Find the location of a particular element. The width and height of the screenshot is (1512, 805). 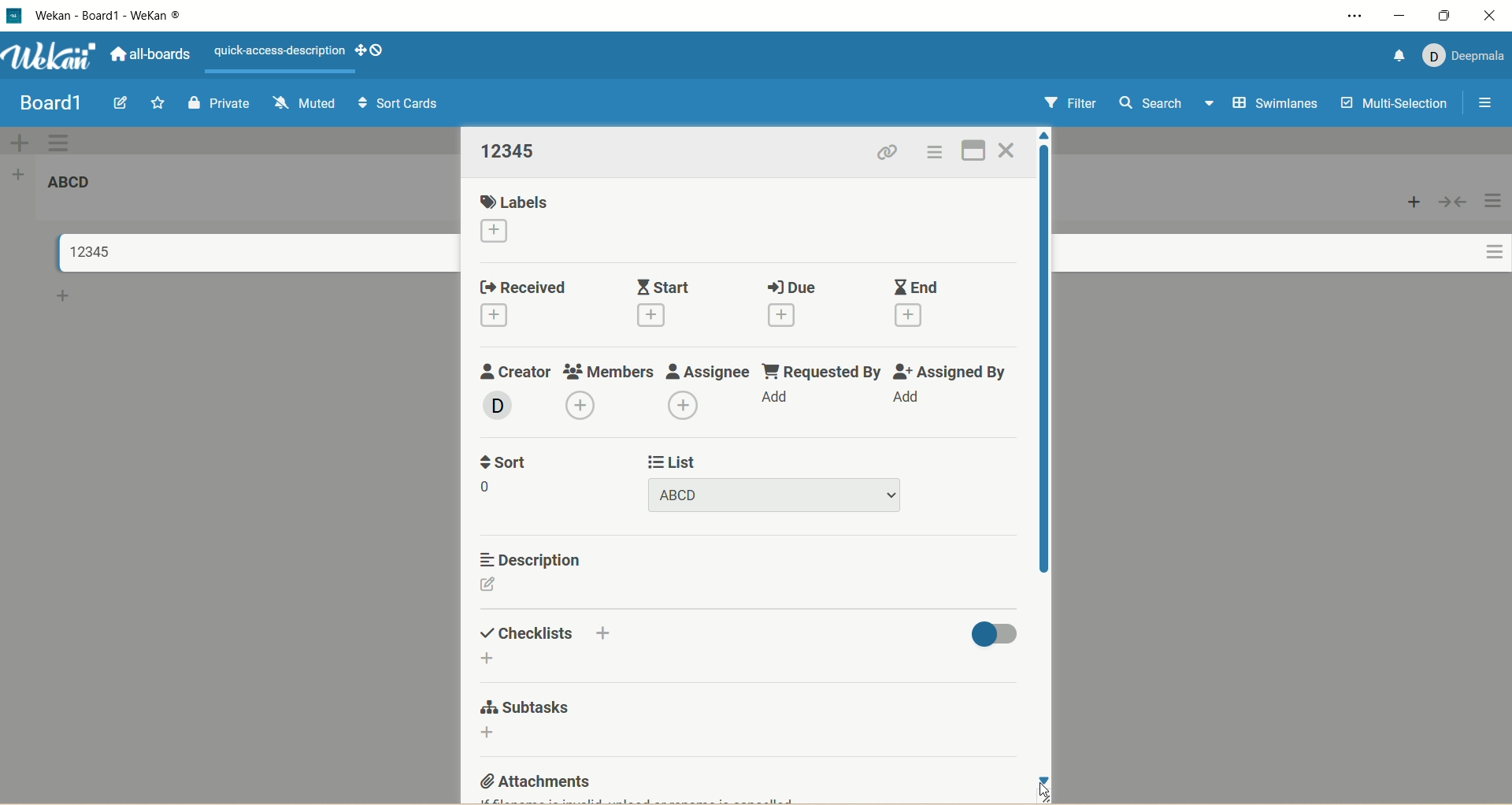

search is located at coordinates (1166, 105).